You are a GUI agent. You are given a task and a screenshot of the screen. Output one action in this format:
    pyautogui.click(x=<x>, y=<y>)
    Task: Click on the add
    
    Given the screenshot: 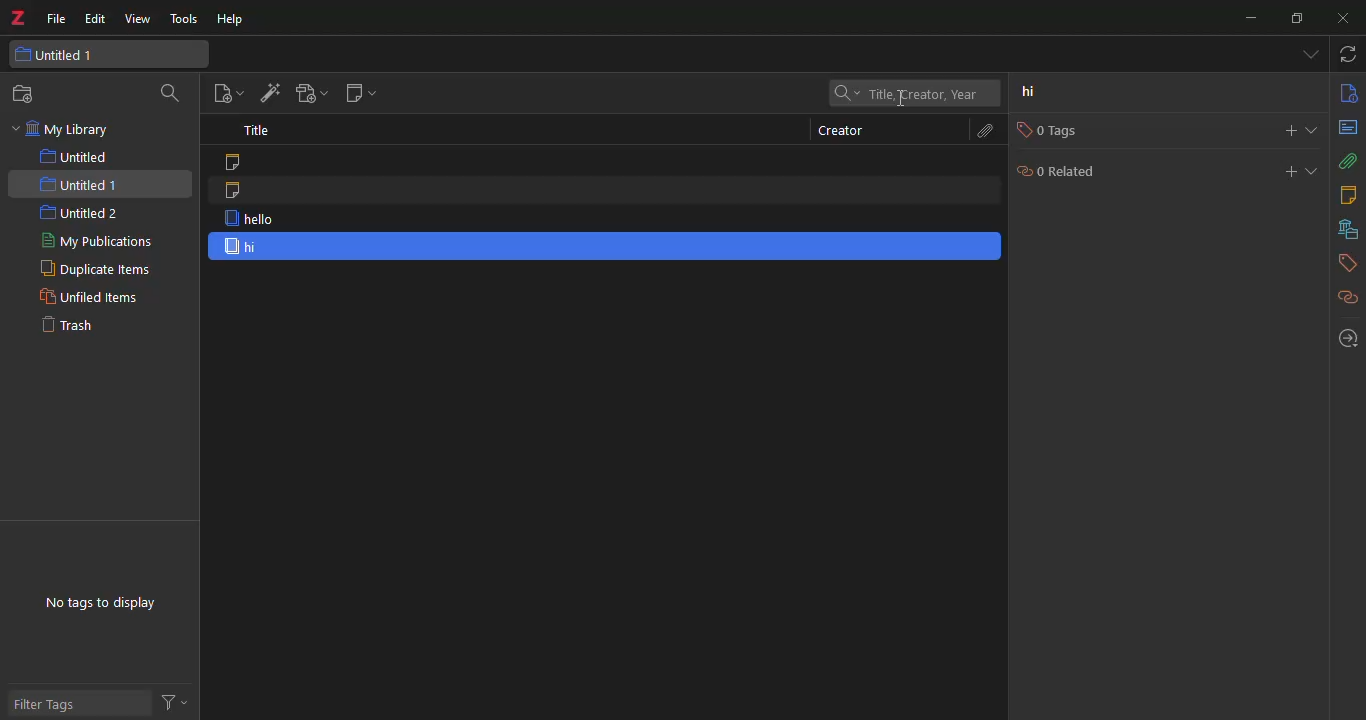 What is the action you would take?
    pyautogui.click(x=1281, y=130)
    